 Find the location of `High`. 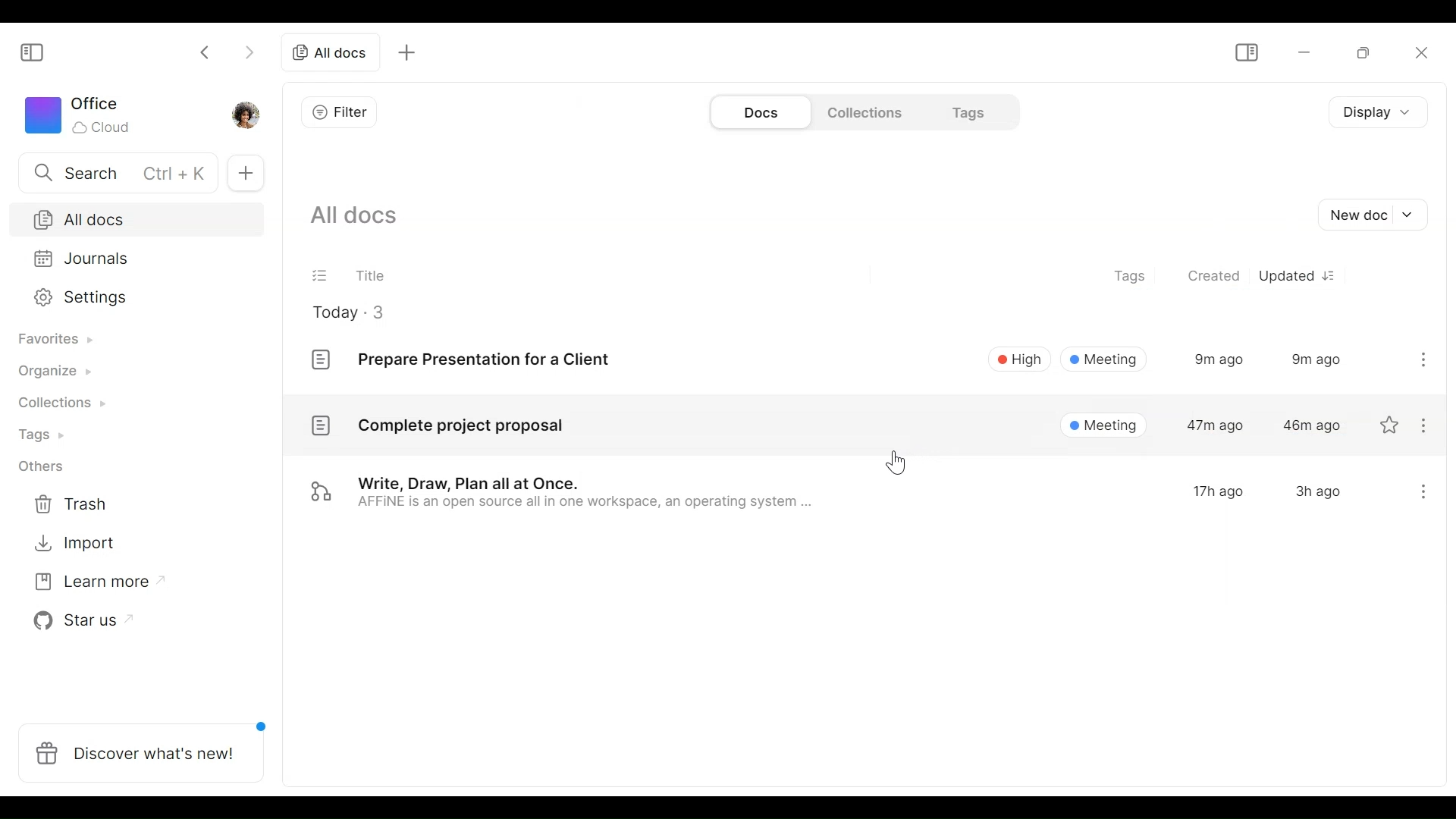

High is located at coordinates (1020, 361).